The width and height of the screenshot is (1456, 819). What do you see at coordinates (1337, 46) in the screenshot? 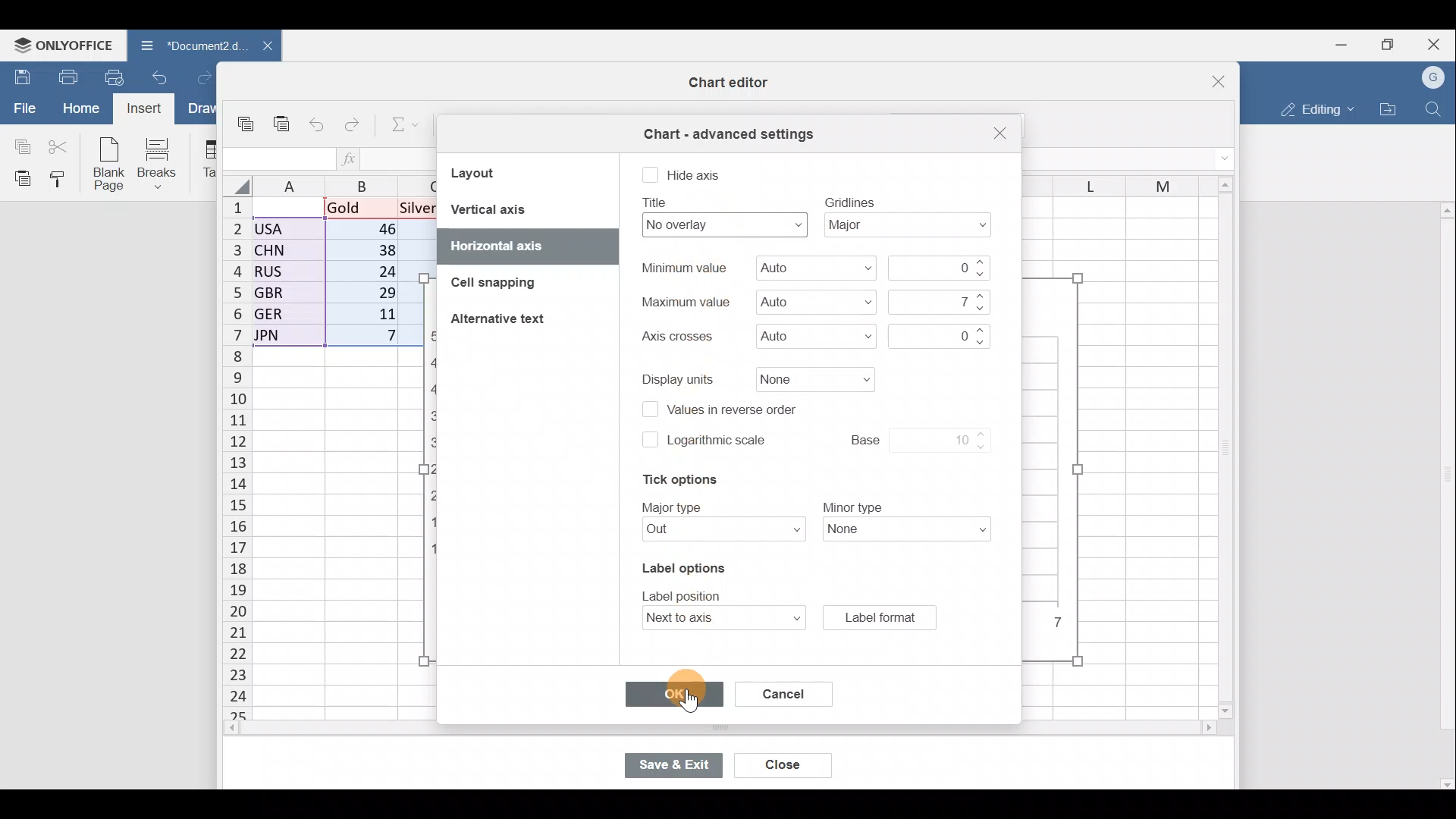
I see `Minimize` at bounding box center [1337, 46].